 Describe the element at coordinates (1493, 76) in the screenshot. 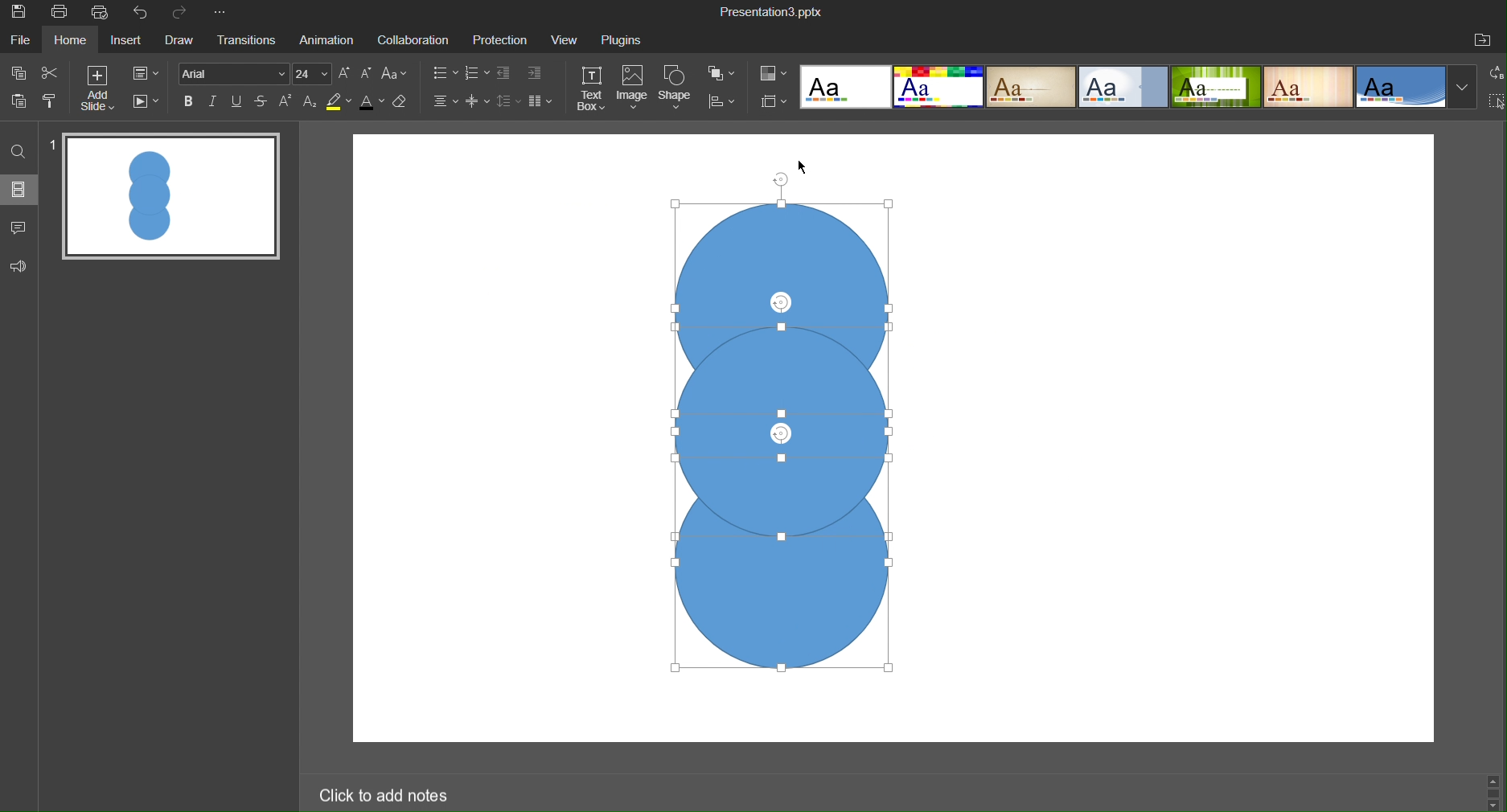

I see `Replace` at that location.